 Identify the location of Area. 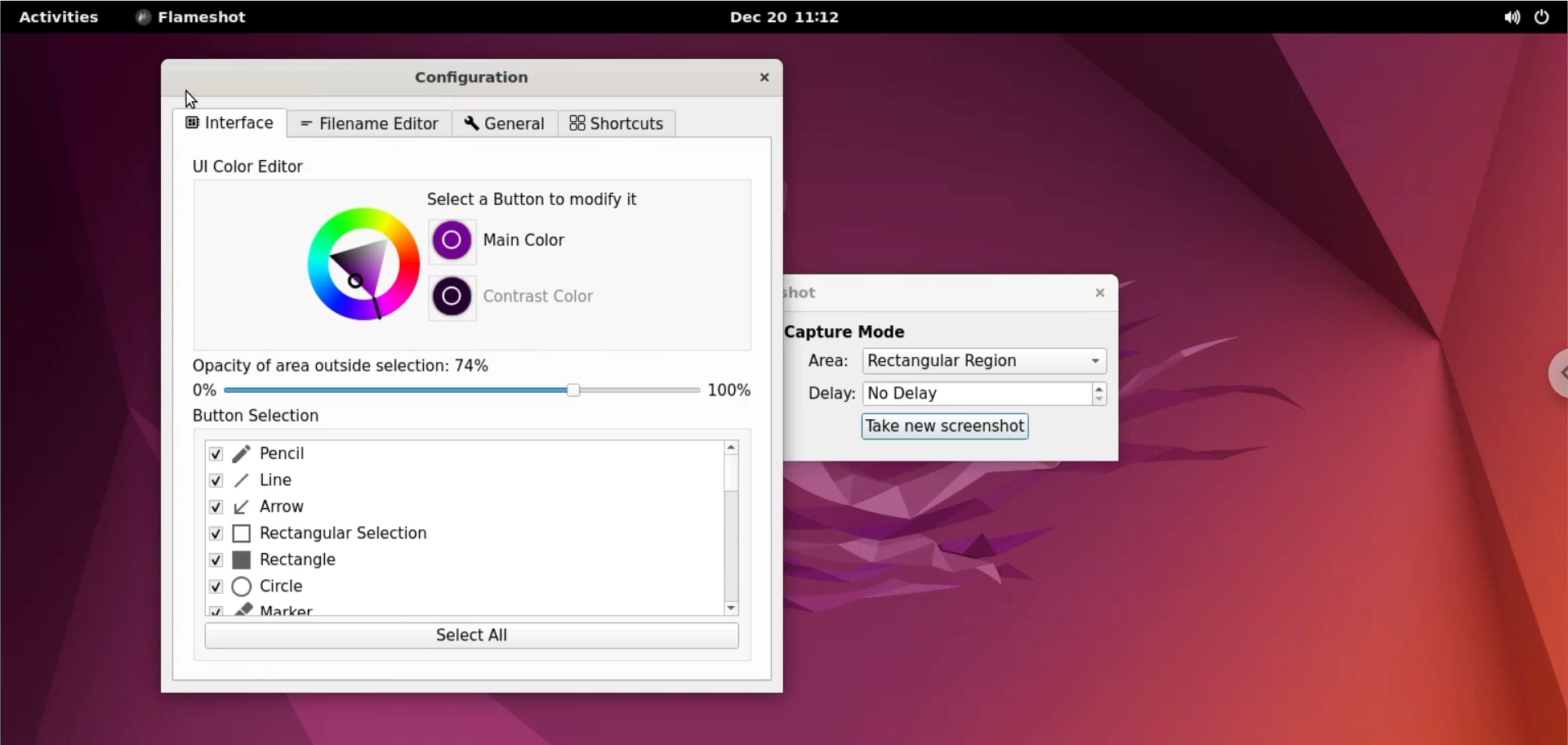
(817, 361).